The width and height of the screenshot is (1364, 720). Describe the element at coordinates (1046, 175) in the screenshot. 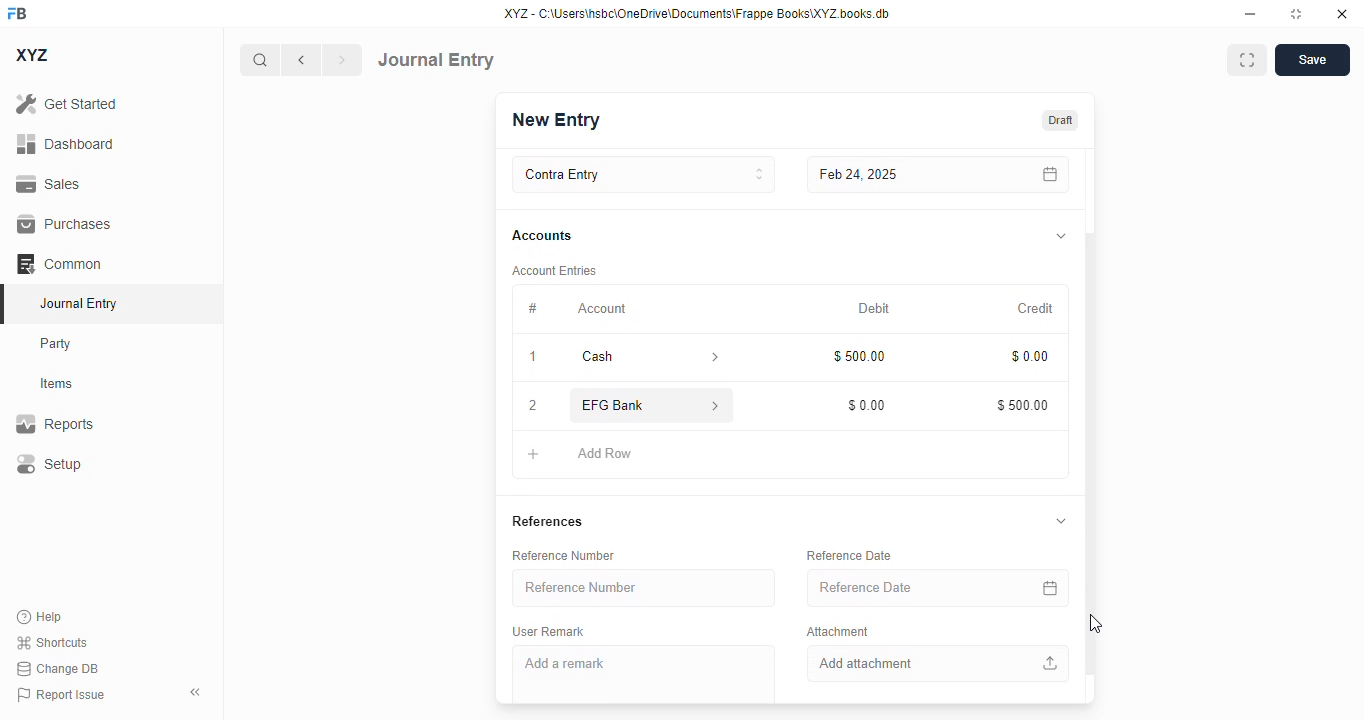

I see `calendar icon` at that location.